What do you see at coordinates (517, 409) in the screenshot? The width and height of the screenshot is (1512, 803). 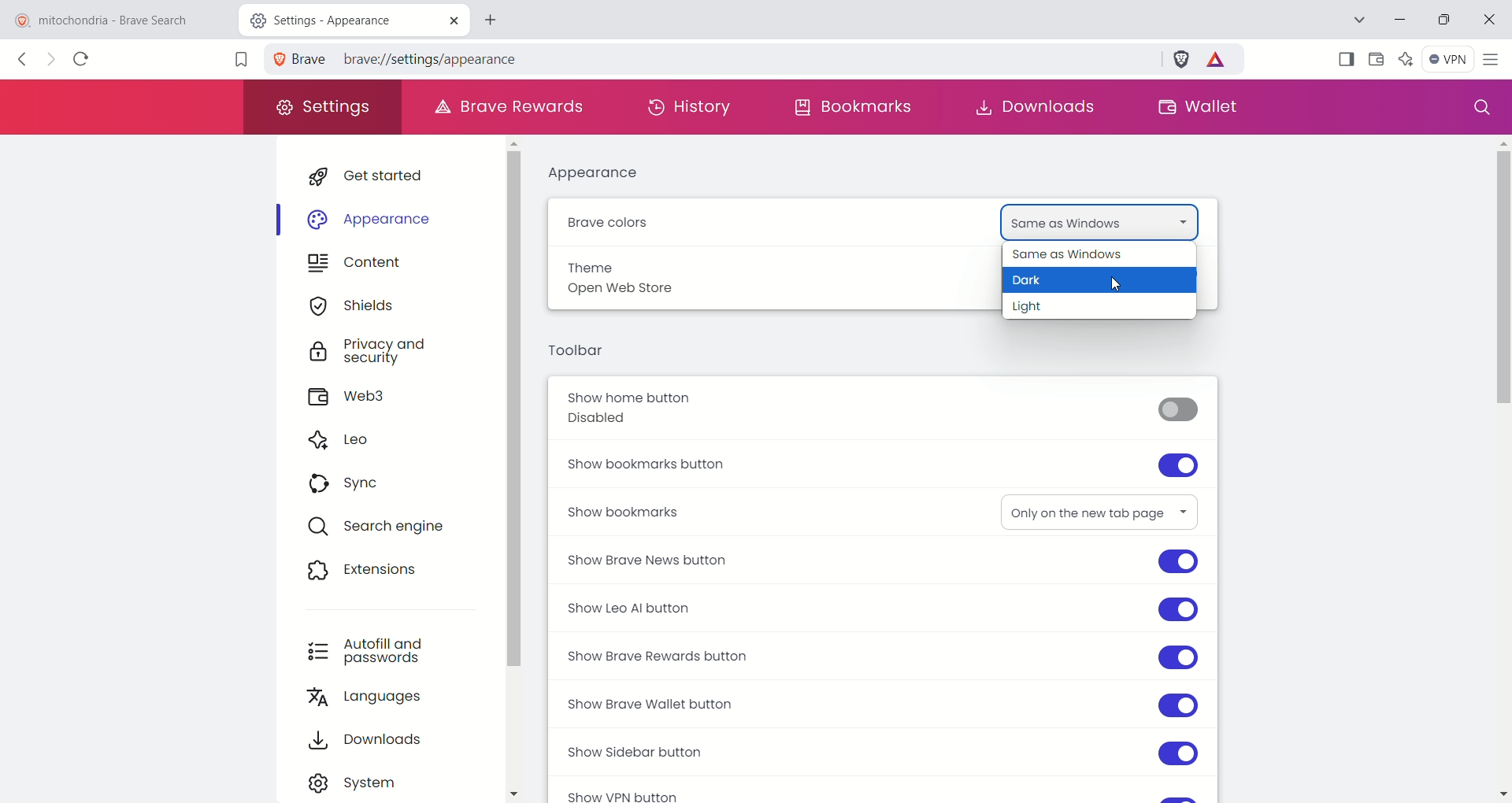 I see `vertical scroll bar` at bounding box center [517, 409].